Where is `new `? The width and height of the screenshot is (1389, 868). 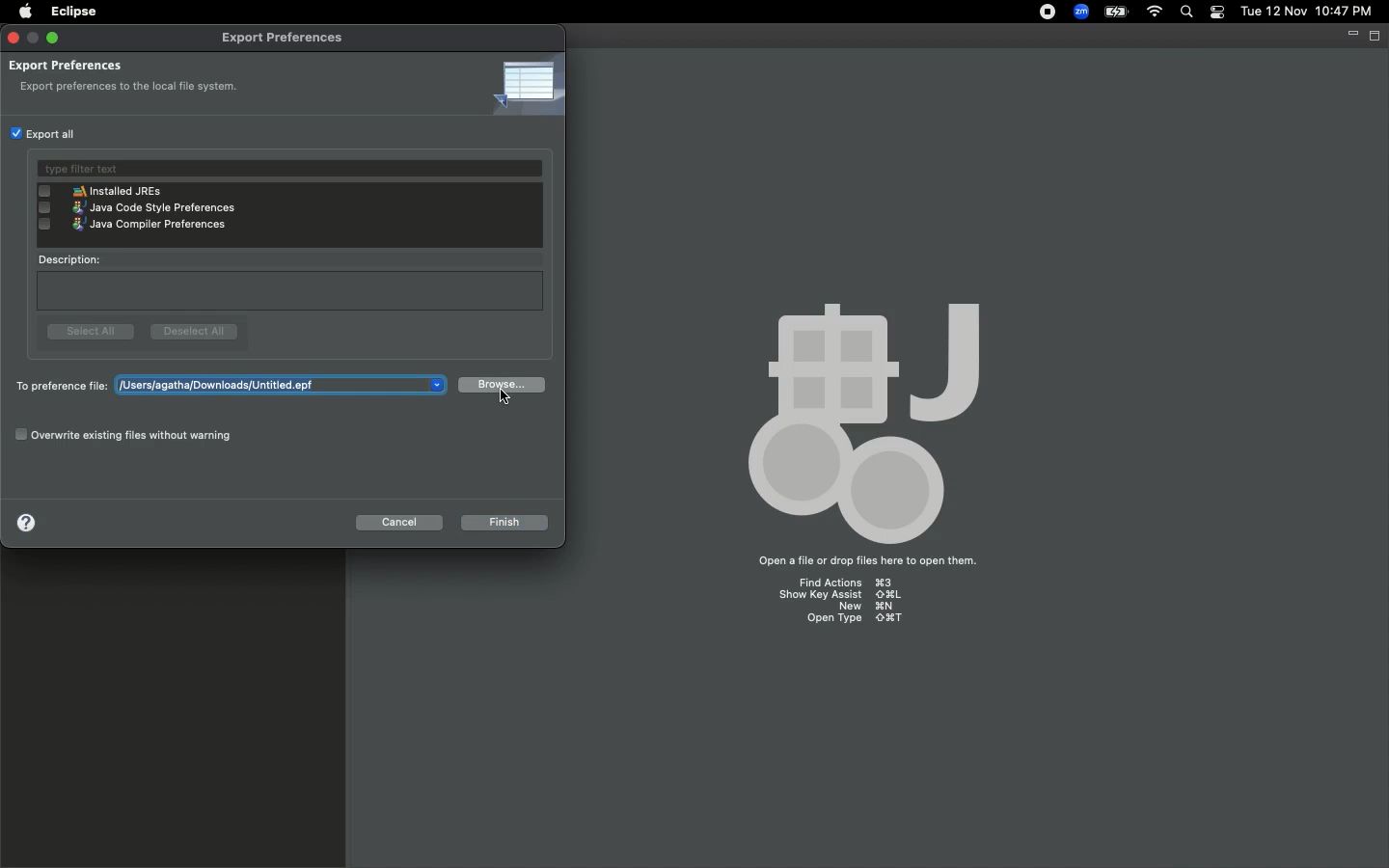
new  is located at coordinates (849, 607).